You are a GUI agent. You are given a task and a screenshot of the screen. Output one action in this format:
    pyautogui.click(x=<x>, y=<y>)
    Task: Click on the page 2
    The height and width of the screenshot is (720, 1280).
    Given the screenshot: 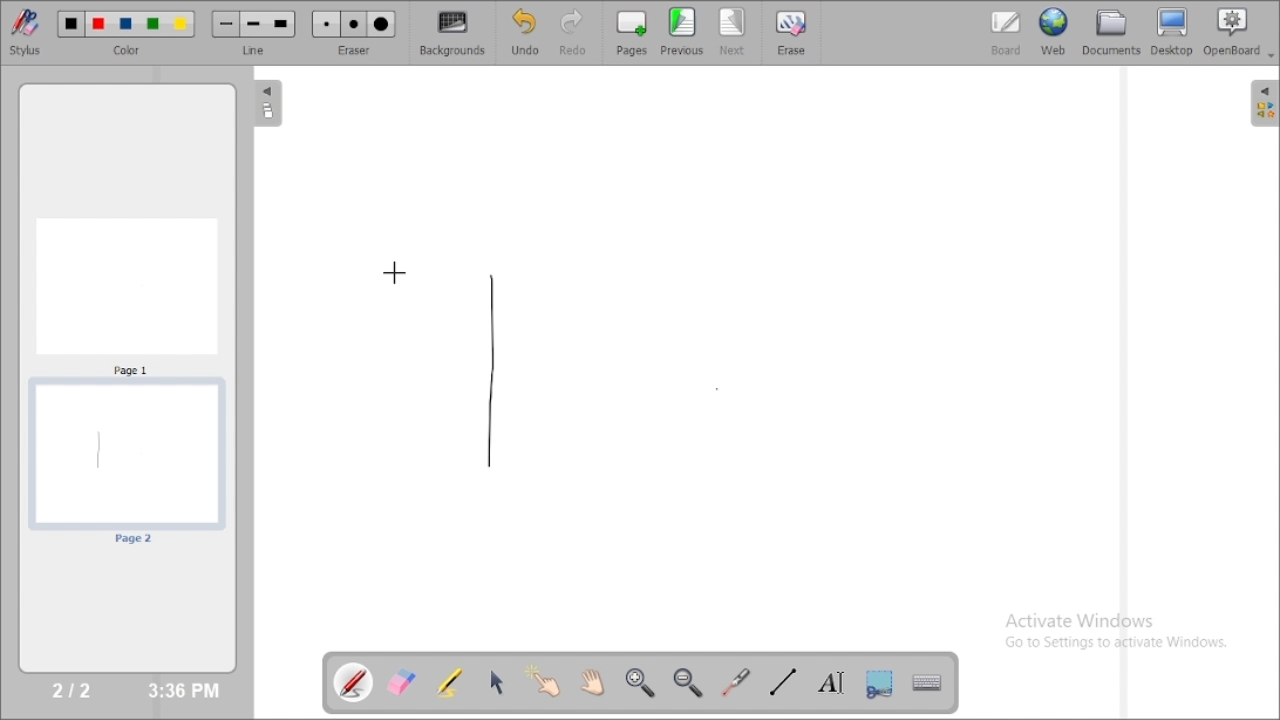 What is the action you would take?
    pyautogui.click(x=126, y=464)
    